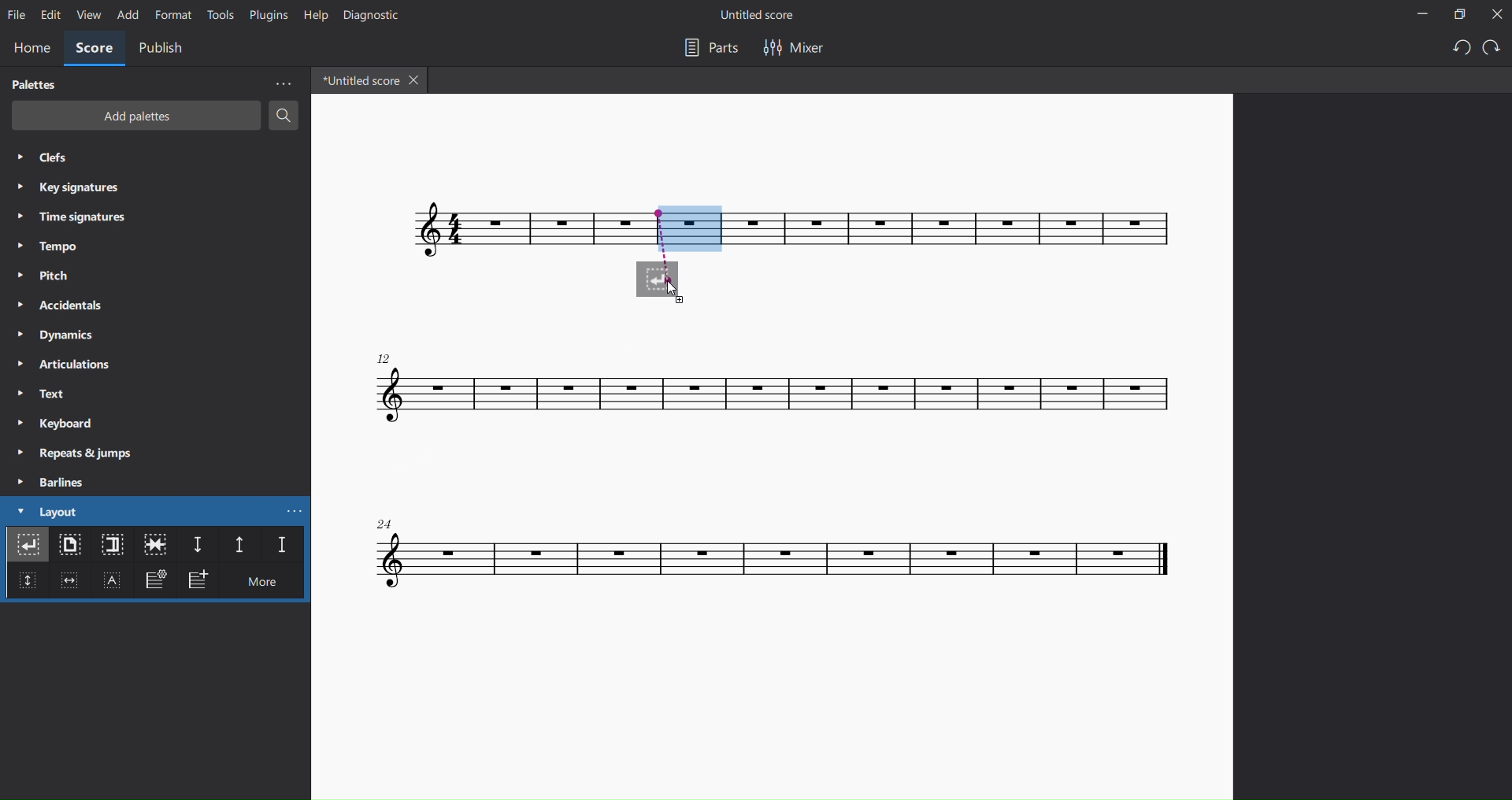 This screenshot has width=1512, height=800. Describe the element at coordinates (155, 545) in the screenshot. I see `keep same measure` at that location.